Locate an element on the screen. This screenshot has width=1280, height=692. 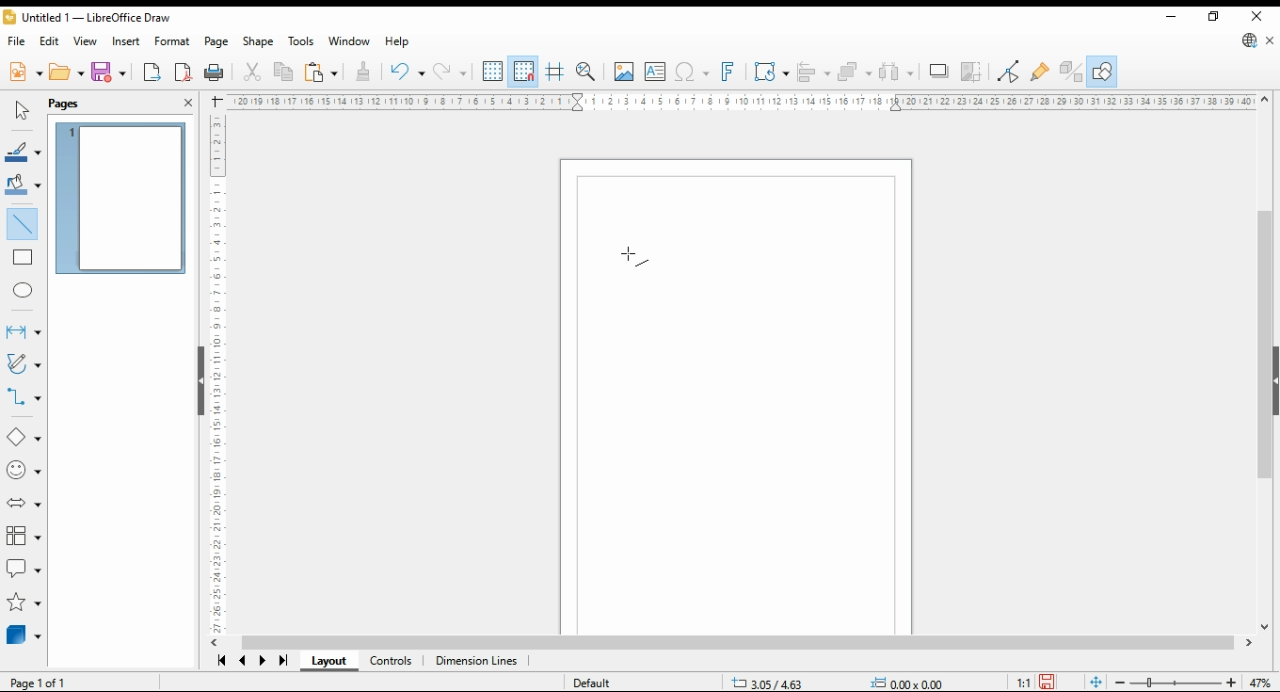
page is located at coordinates (216, 42).